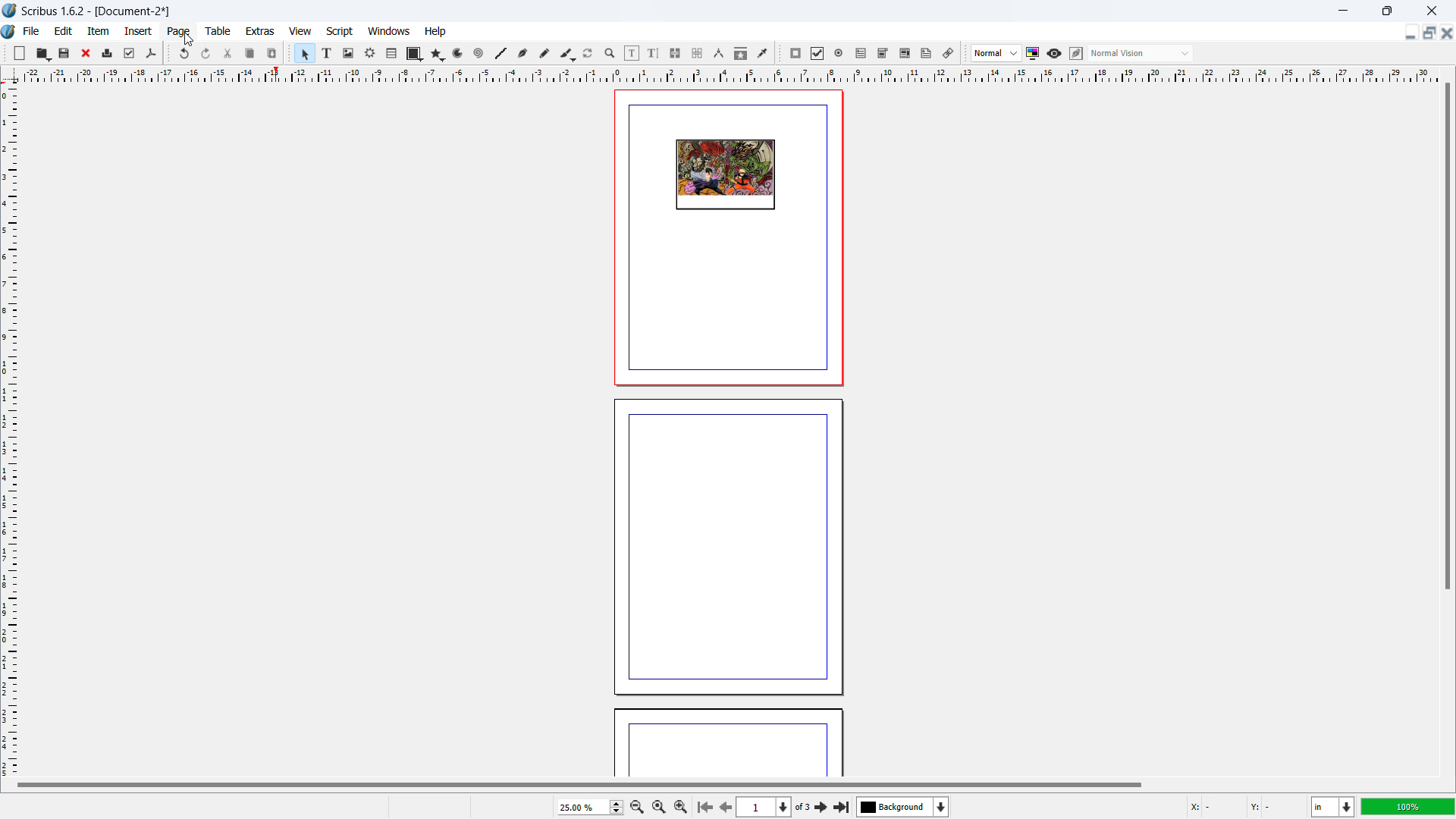 Image resolution: width=1456 pixels, height=819 pixels. What do you see at coordinates (436, 32) in the screenshot?
I see `help` at bounding box center [436, 32].